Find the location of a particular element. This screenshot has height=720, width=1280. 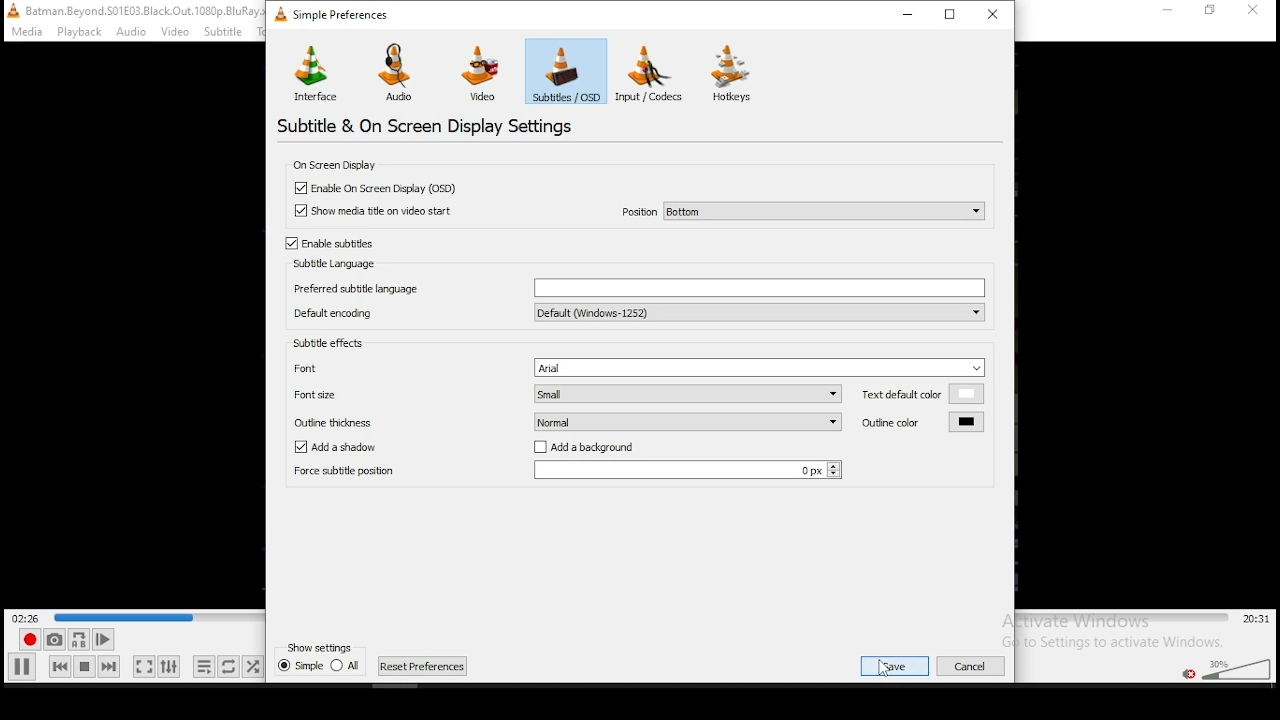

subtitle language is located at coordinates (331, 264).